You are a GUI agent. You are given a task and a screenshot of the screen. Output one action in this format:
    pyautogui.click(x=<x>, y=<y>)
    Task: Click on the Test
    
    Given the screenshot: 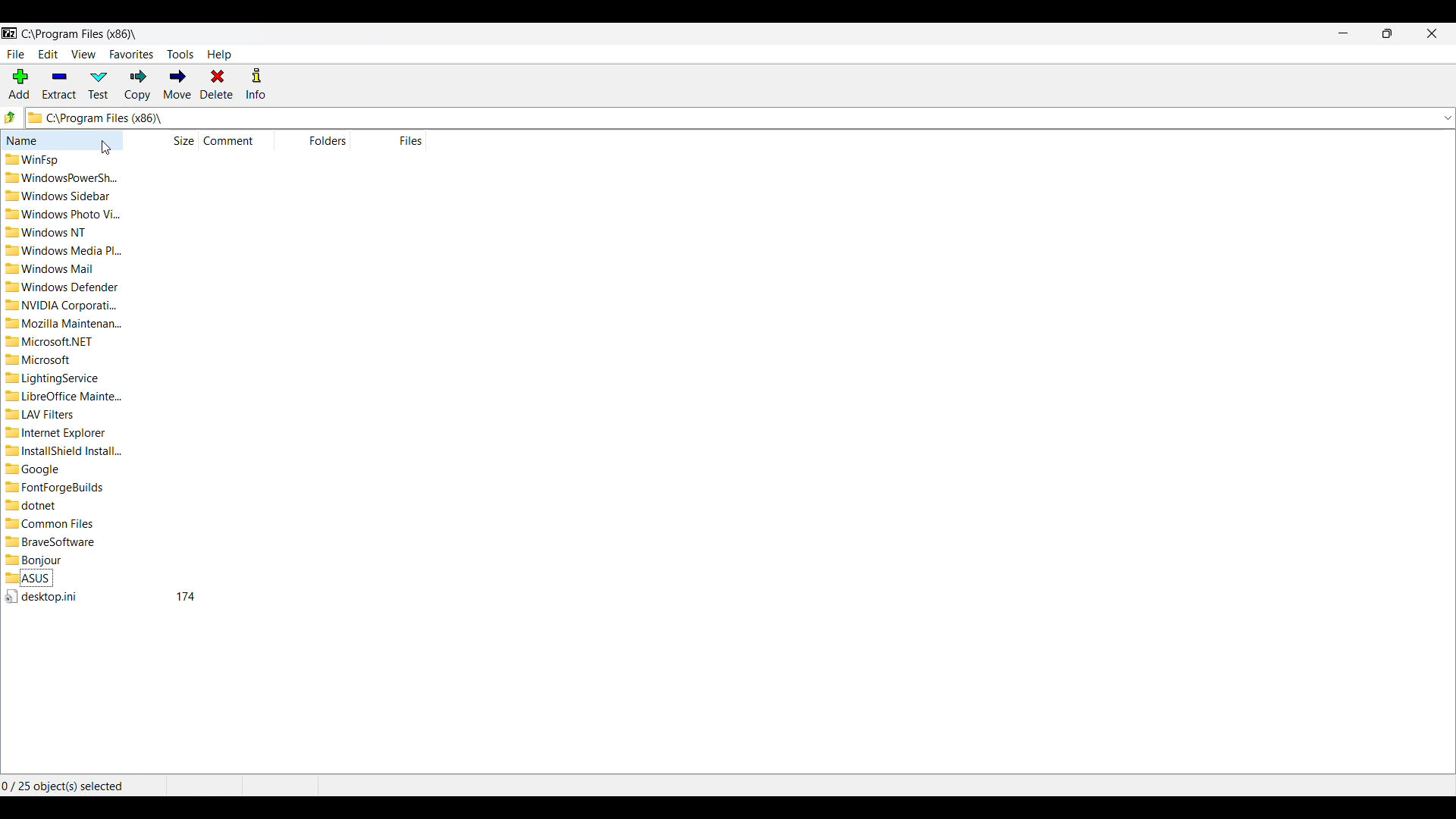 What is the action you would take?
    pyautogui.click(x=99, y=85)
    